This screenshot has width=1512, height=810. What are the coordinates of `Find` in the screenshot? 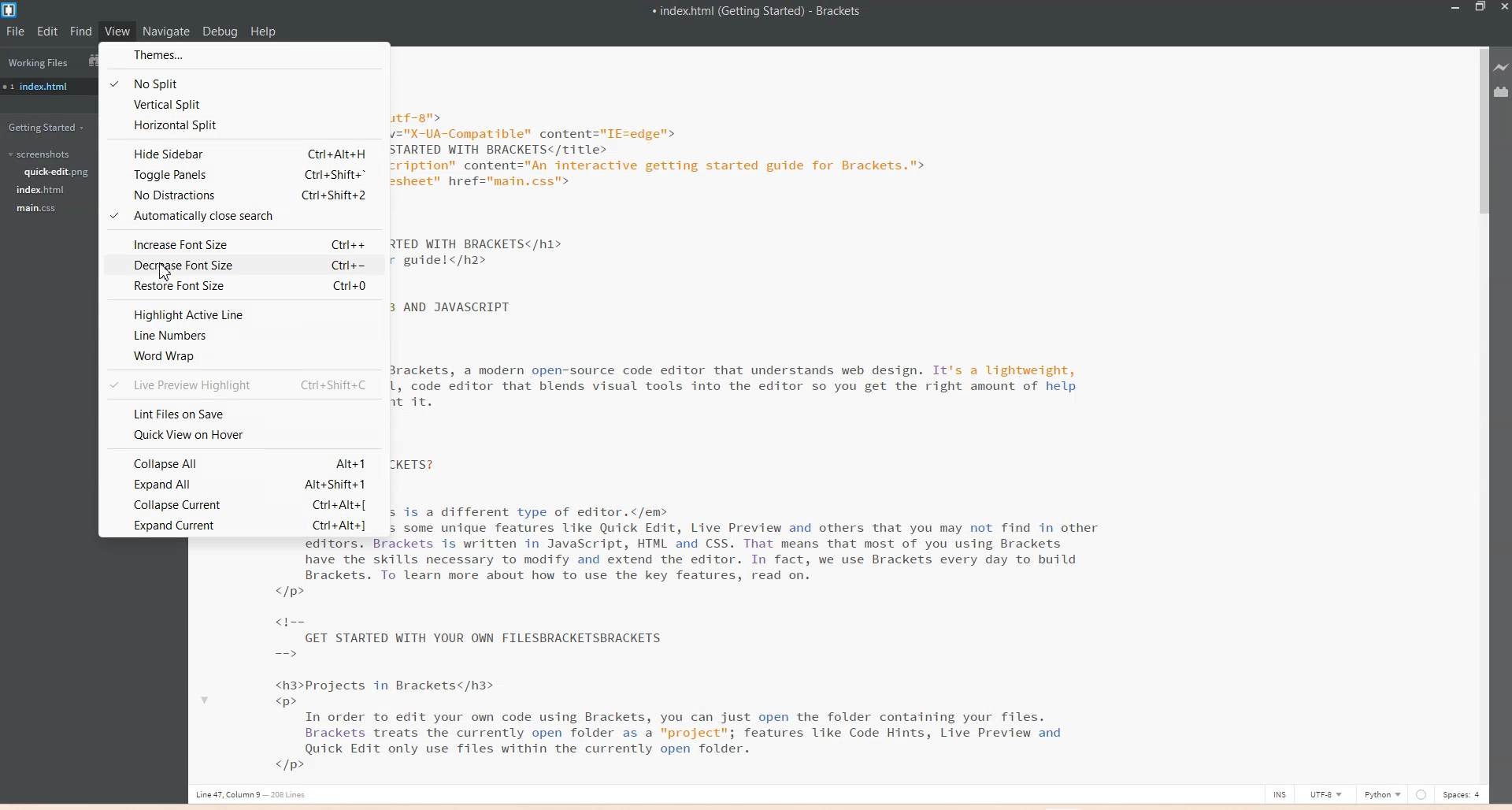 It's located at (80, 31).